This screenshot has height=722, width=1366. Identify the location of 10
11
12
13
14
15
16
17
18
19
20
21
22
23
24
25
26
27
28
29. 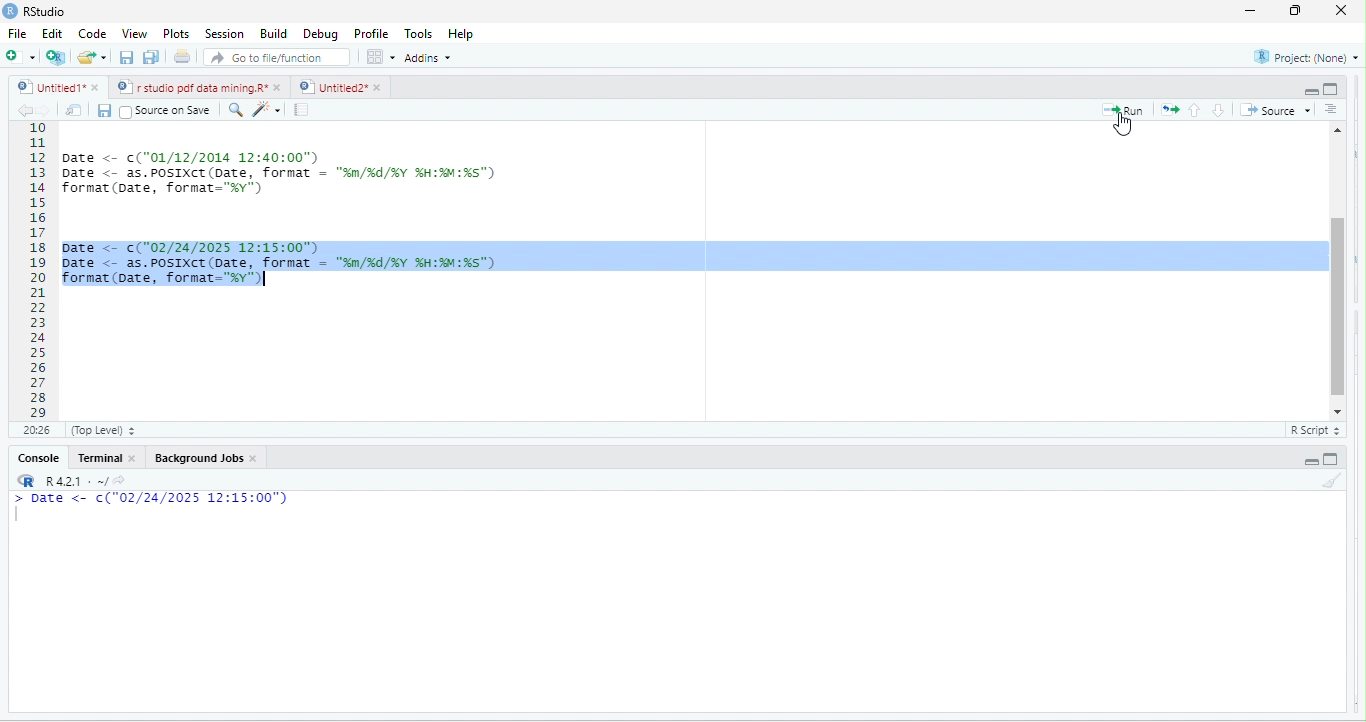
(30, 270).